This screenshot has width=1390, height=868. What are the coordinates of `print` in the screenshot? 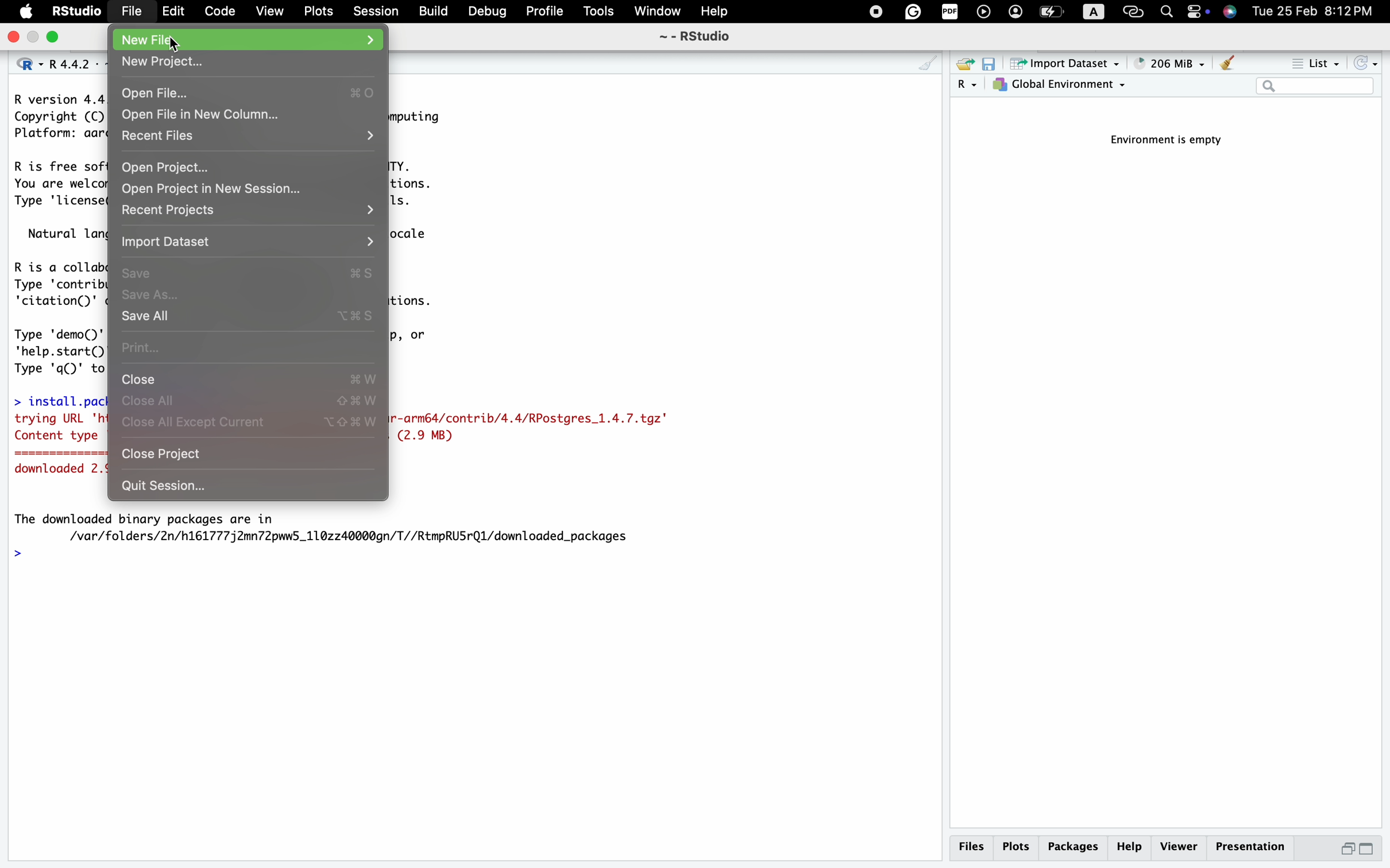 It's located at (248, 347).